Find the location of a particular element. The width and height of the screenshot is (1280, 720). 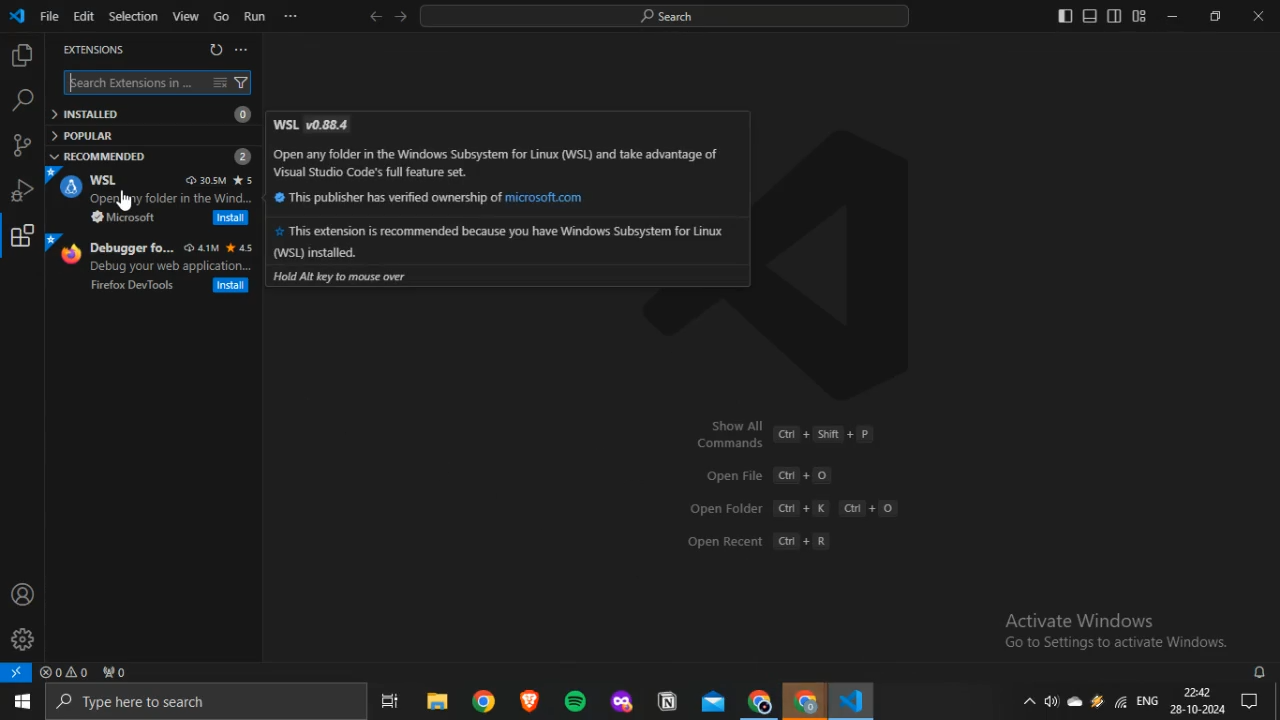

volume is located at coordinates (1051, 701).